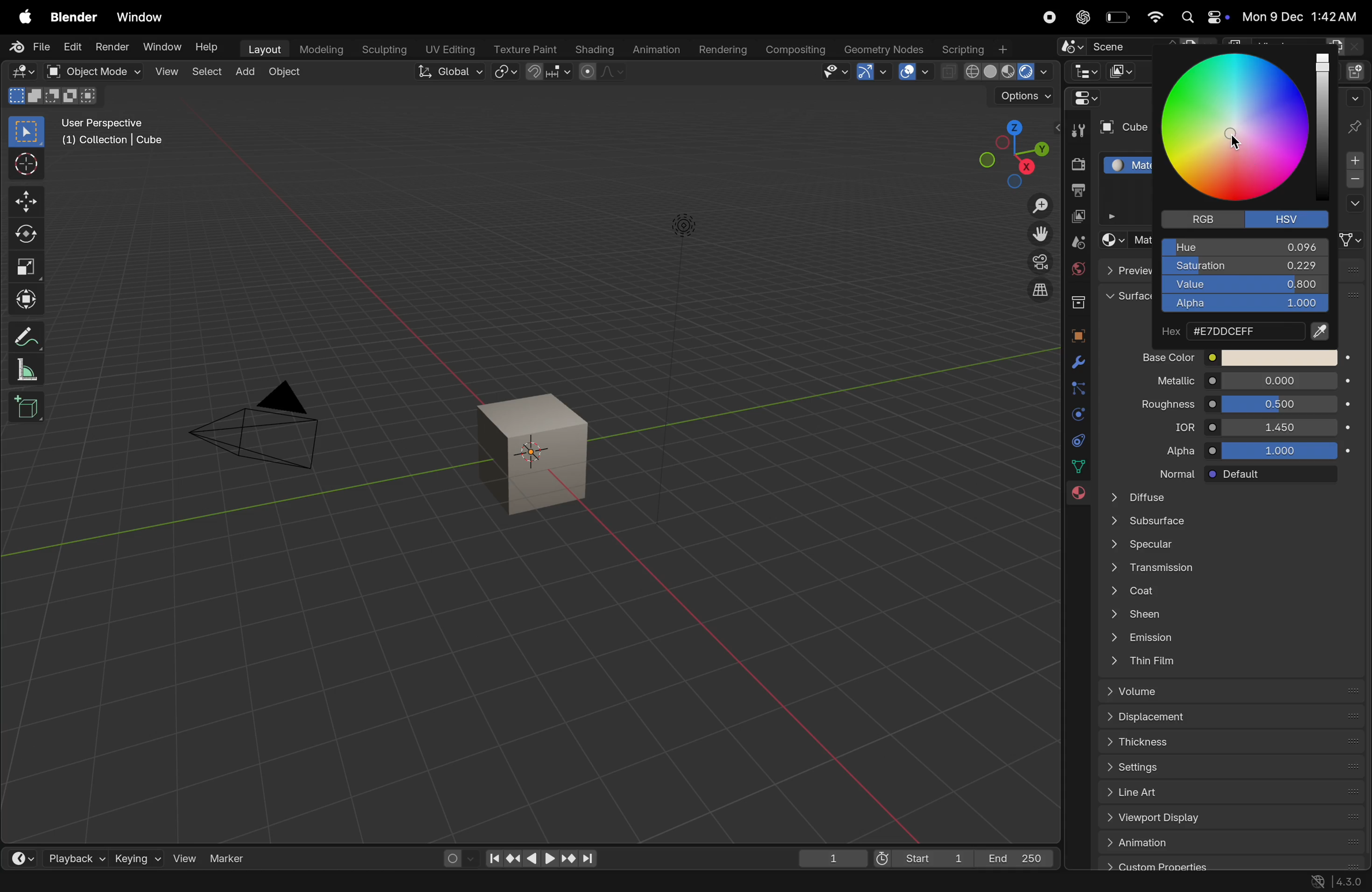 The width and height of the screenshot is (1372, 892). What do you see at coordinates (541, 860) in the screenshot?
I see `play back controls` at bounding box center [541, 860].